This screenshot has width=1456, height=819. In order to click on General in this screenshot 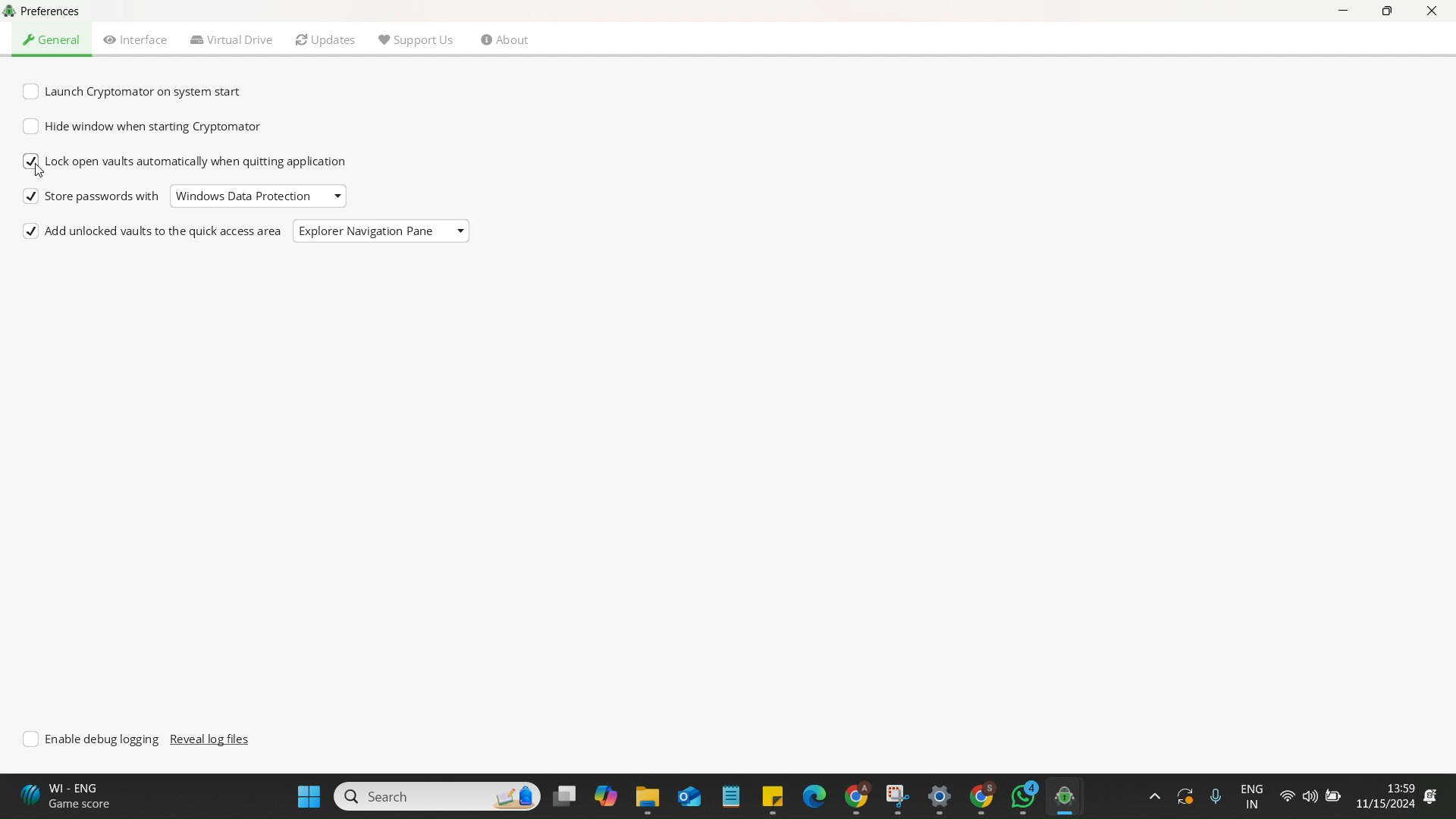, I will do `click(53, 39)`.